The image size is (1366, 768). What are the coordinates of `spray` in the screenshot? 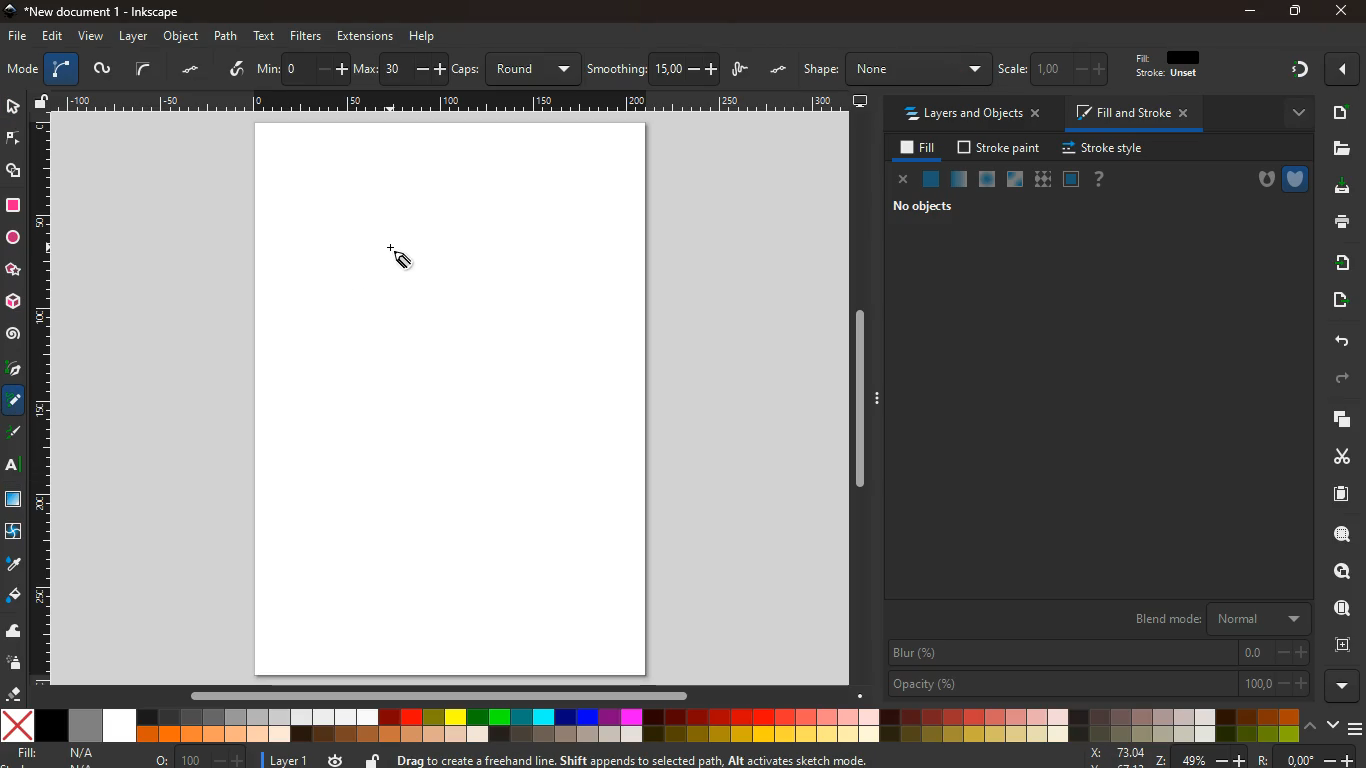 It's located at (15, 664).